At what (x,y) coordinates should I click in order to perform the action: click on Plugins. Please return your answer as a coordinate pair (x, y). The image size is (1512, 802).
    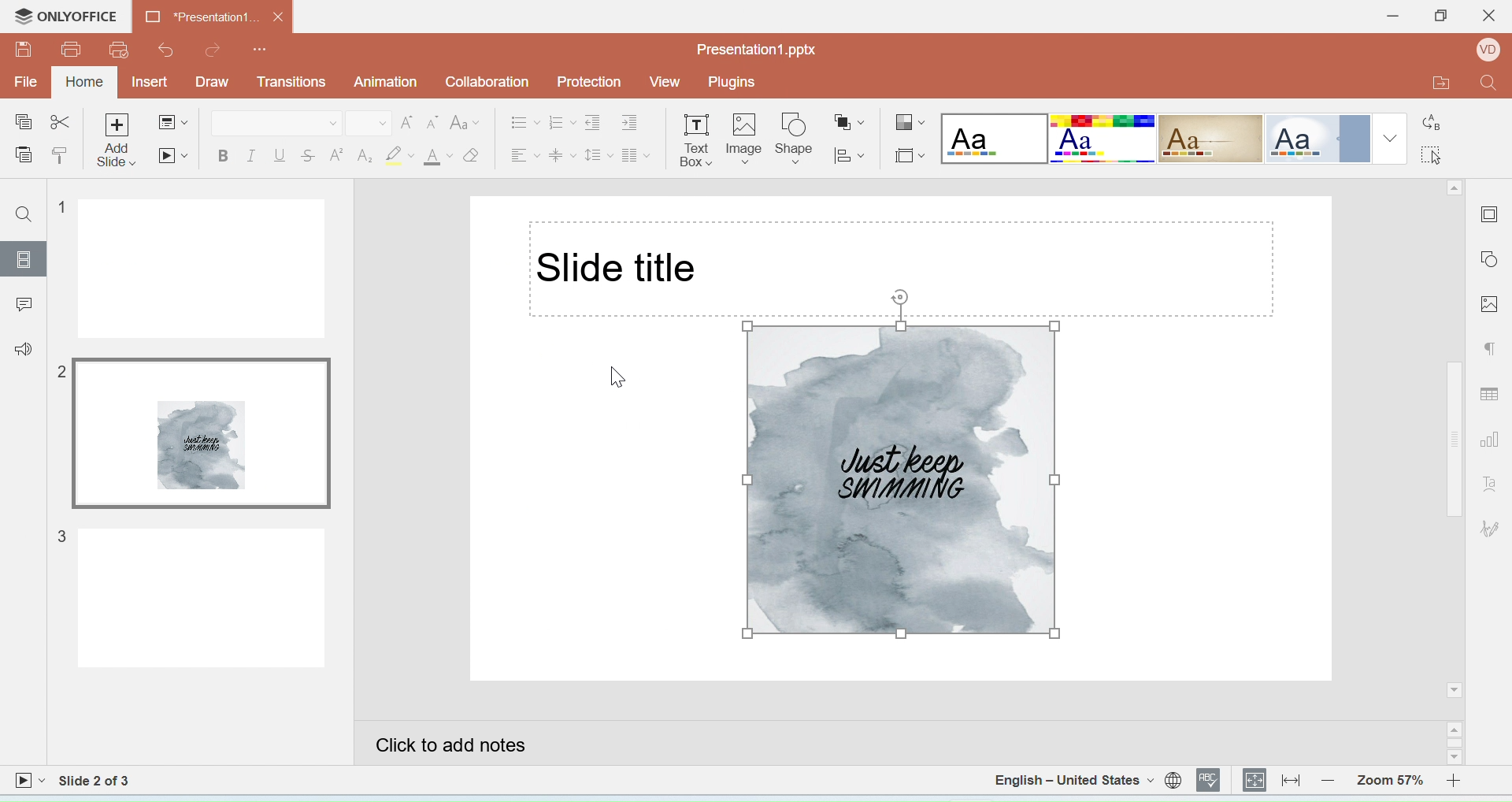
    Looking at the image, I should click on (736, 82).